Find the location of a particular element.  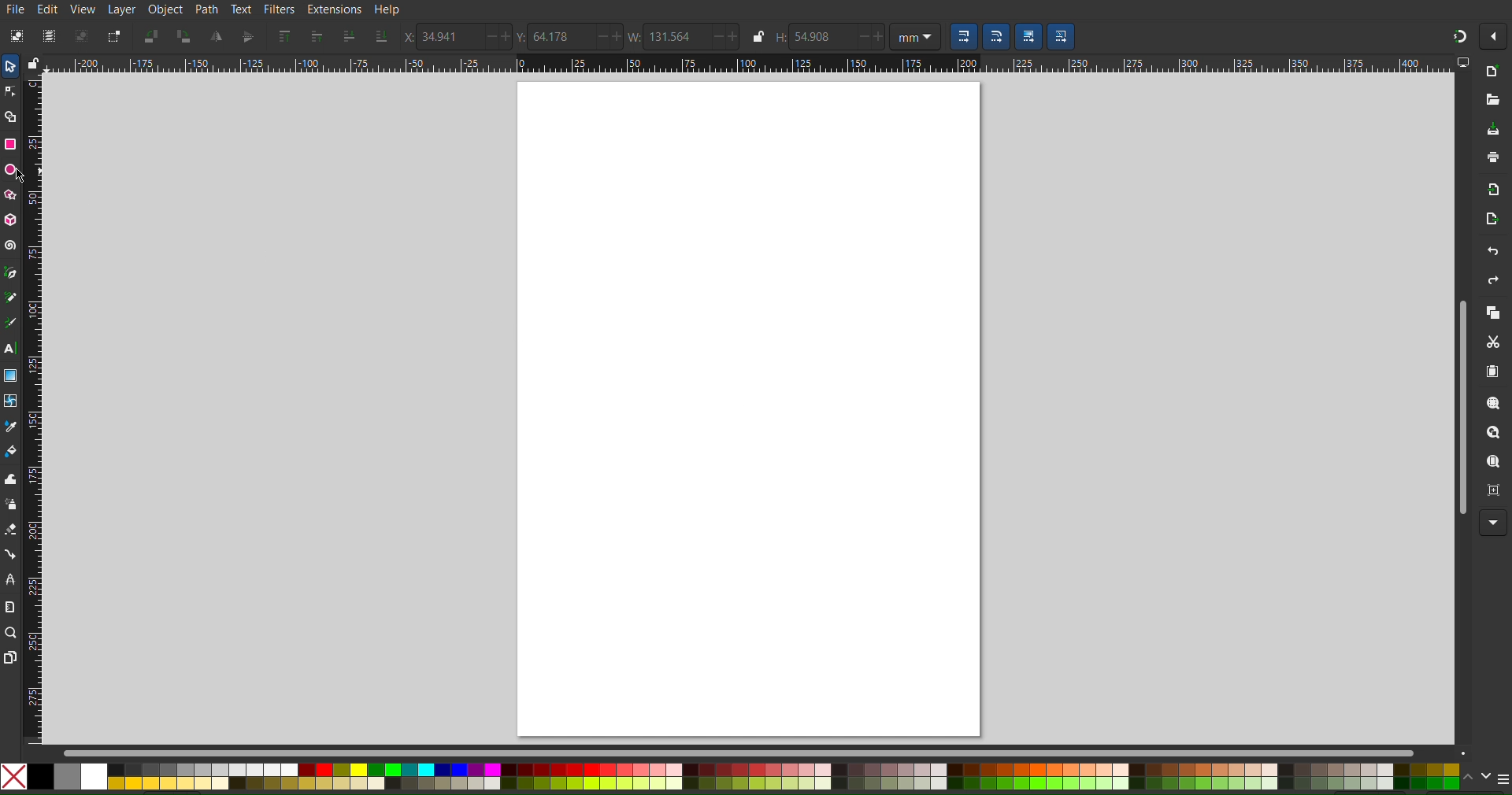

Ellipse is located at coordinates (11, 170).